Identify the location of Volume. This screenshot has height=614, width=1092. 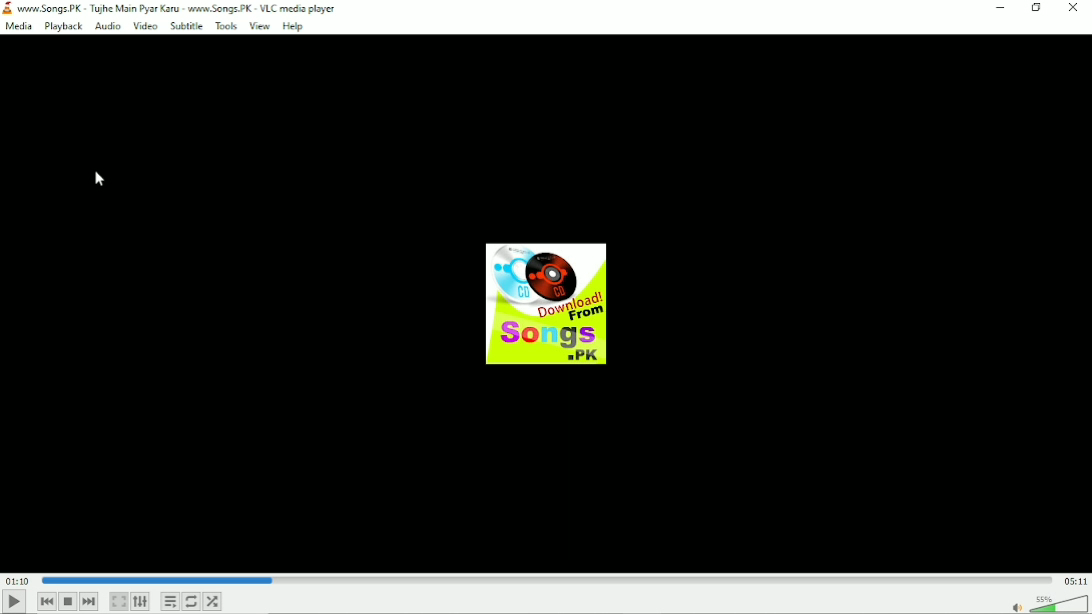
(1048, 603).